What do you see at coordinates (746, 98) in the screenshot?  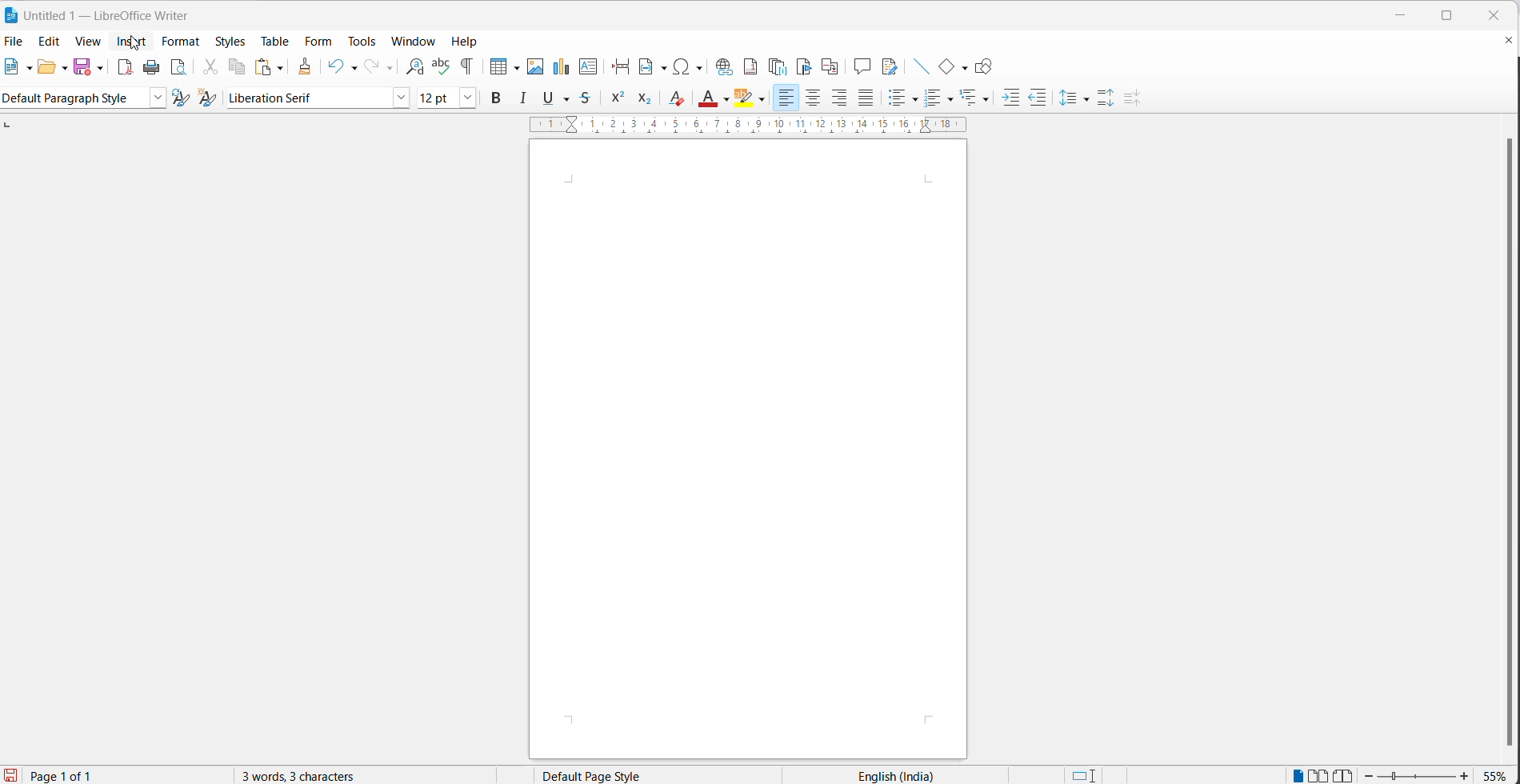 I see `character highlighting icon` at bounding box center [746, 98].